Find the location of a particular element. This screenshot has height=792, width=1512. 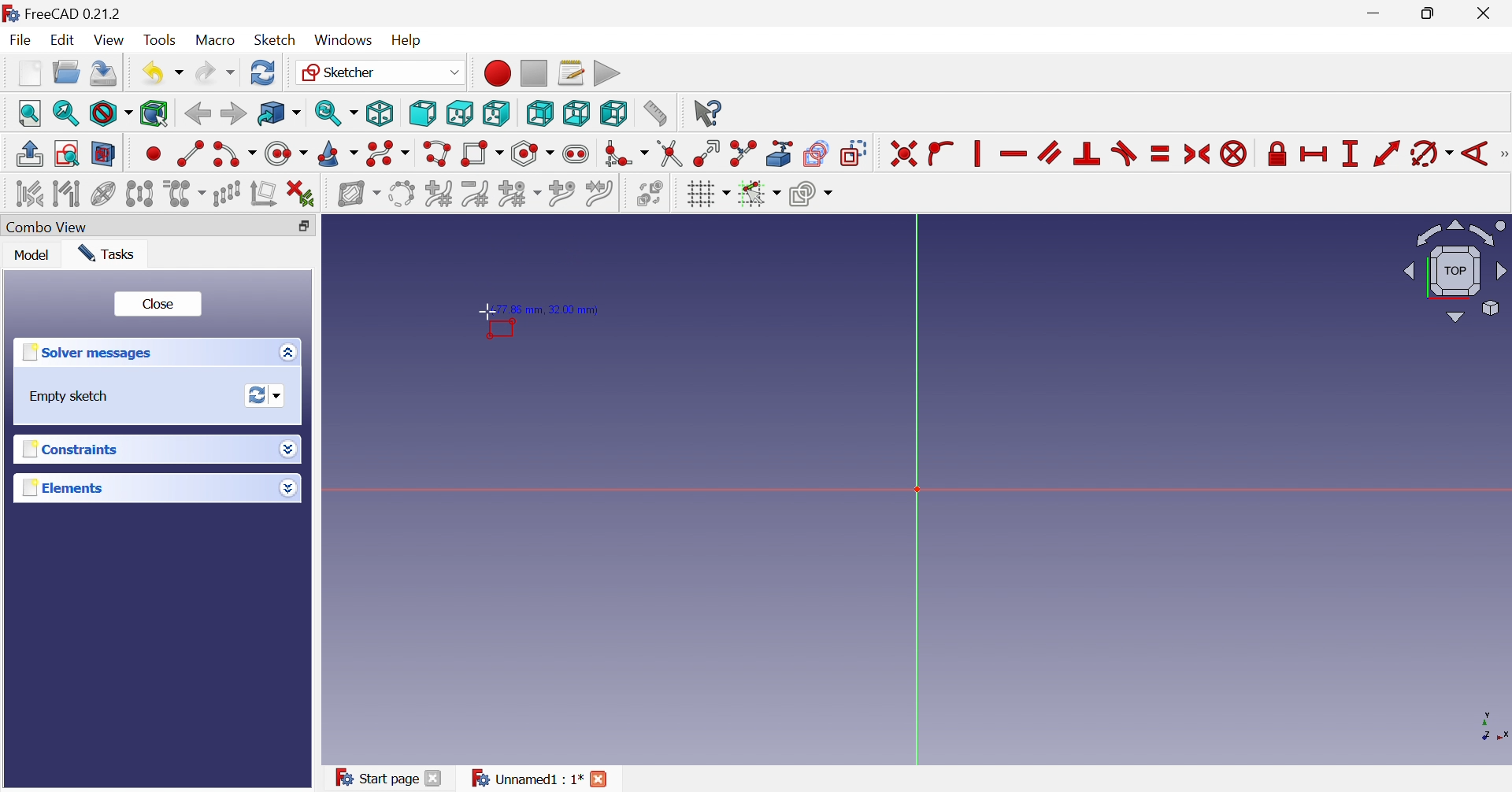

 is located at coordinates (301, 194).